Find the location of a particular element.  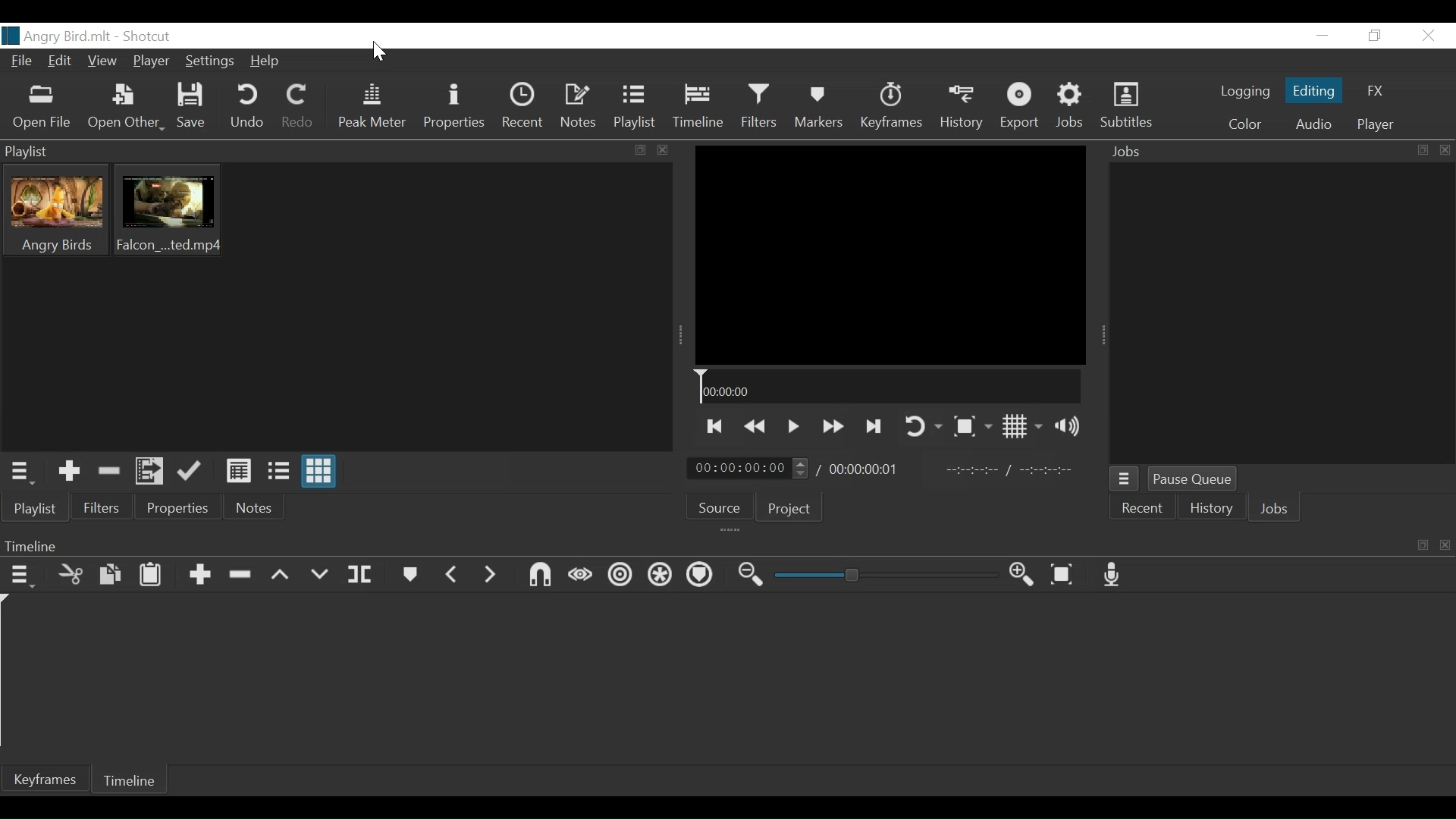

Properties is located at coordinates (453, 106).